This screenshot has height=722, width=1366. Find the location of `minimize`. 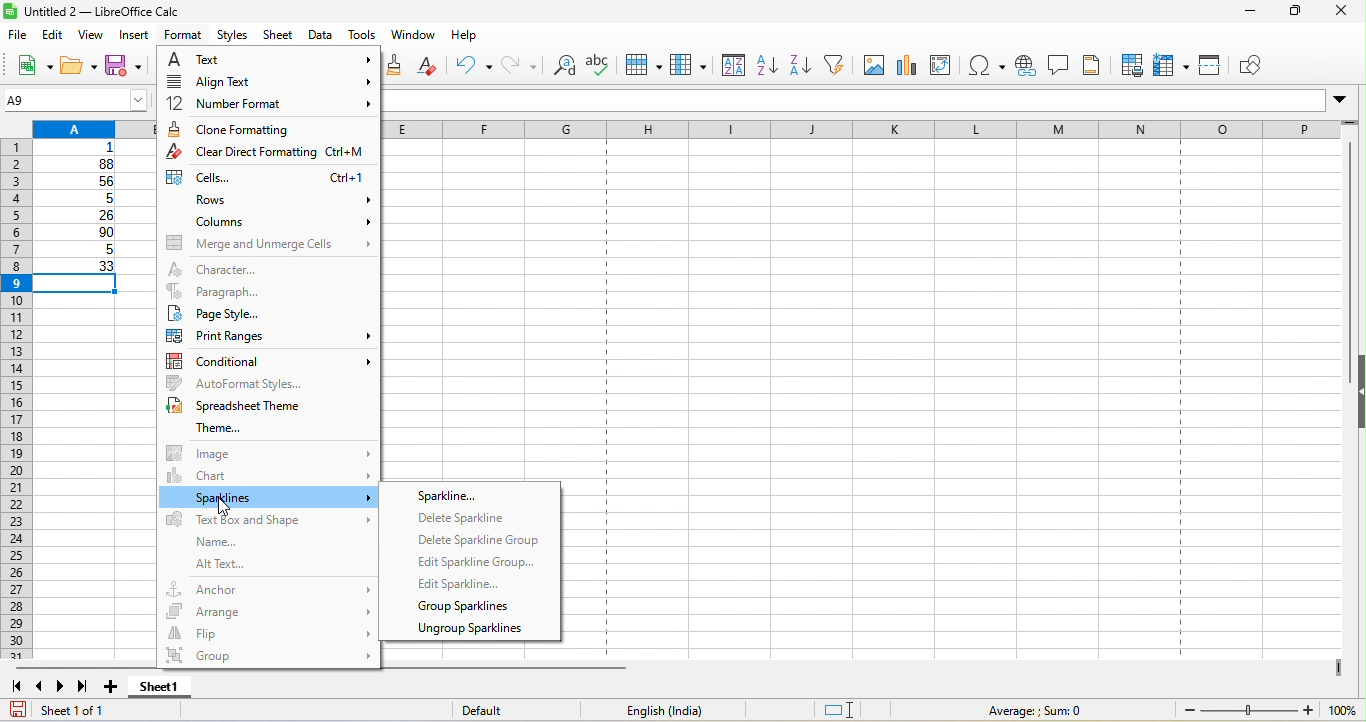

minimize is located at coordinates (1240, 14).